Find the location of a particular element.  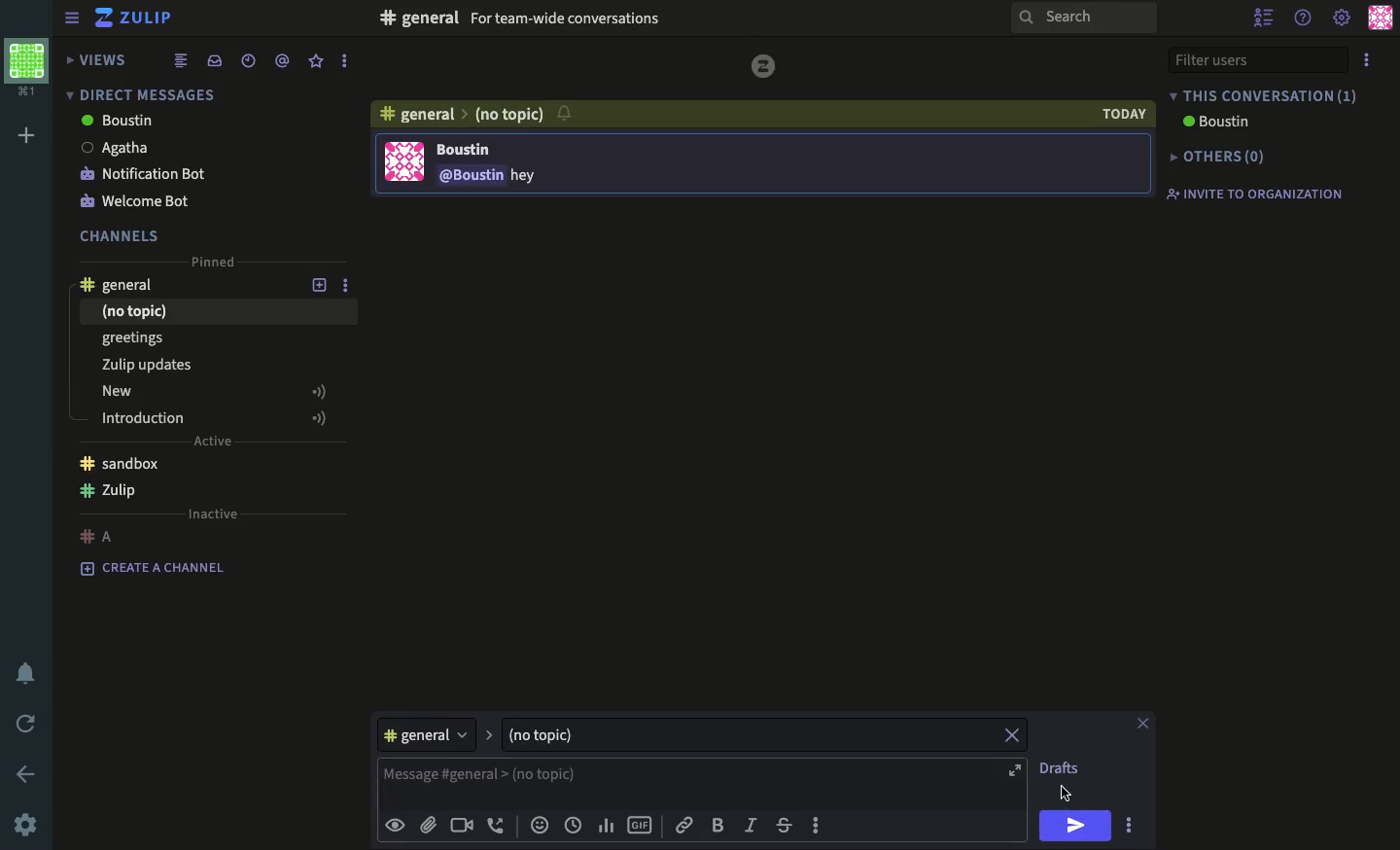

back  is located at coordinates (28, 775).